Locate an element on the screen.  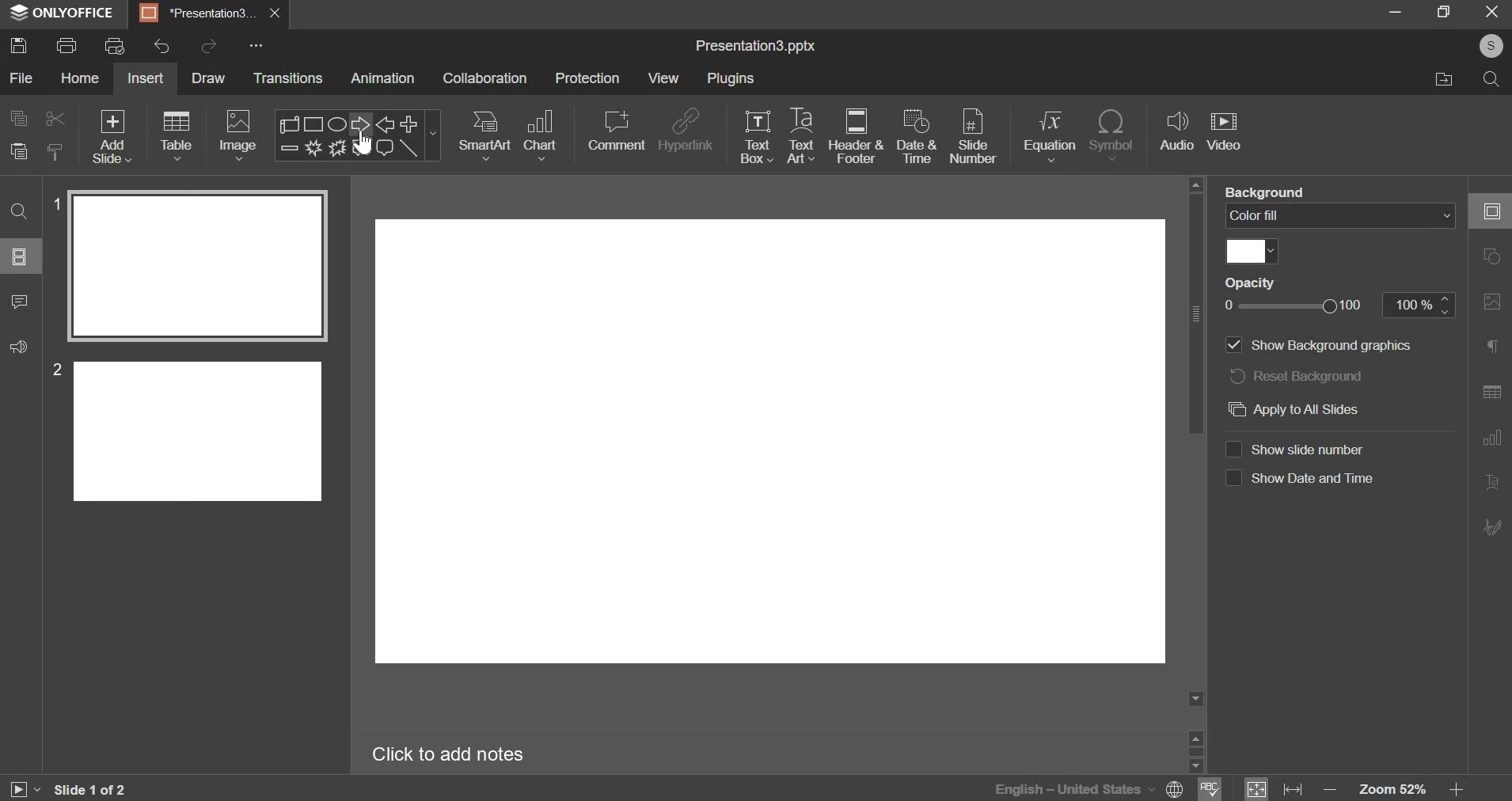
video is located at coordinates (1224, 133).